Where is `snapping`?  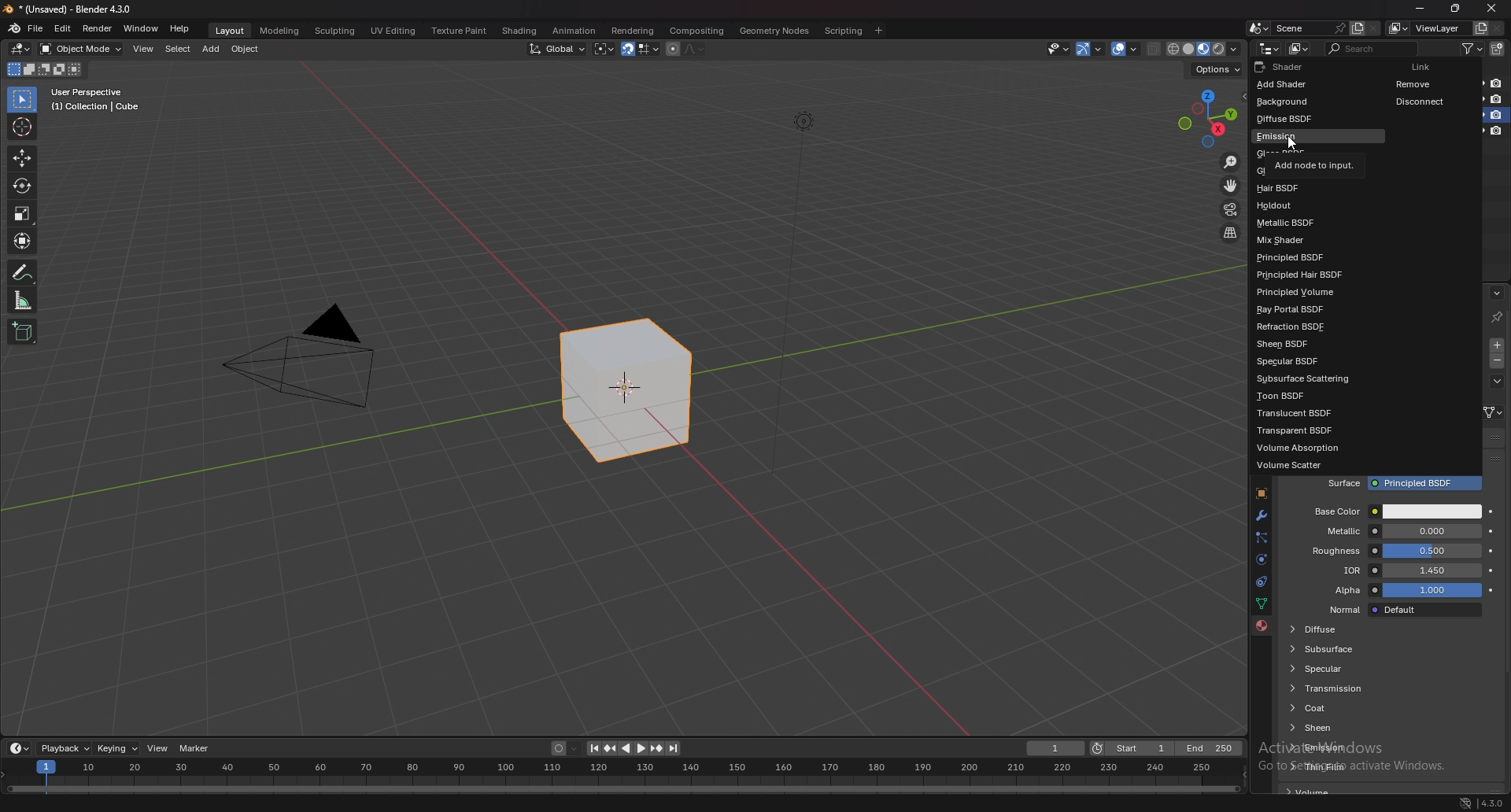 snapping is located at coordinates (640, 50).